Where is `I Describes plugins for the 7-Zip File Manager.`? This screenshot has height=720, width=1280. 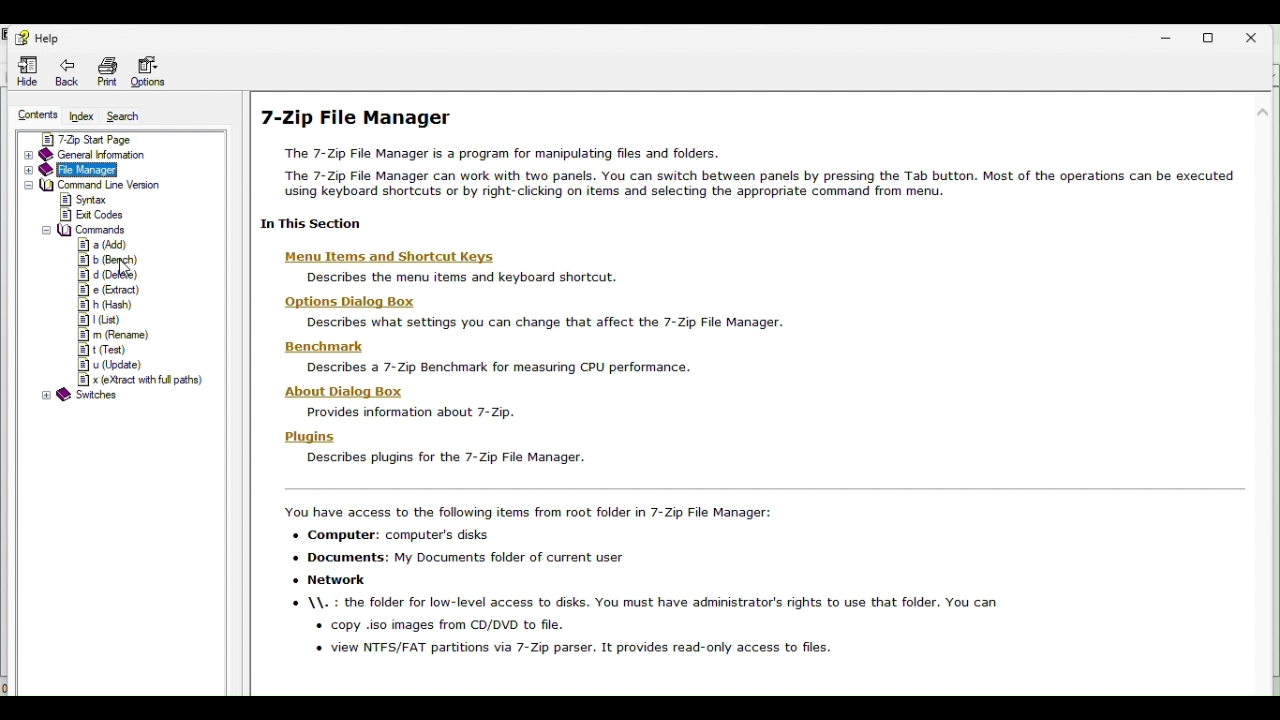 I Describes plugins for the 7-Zip File Manager. is located at coordinates (448, 460).